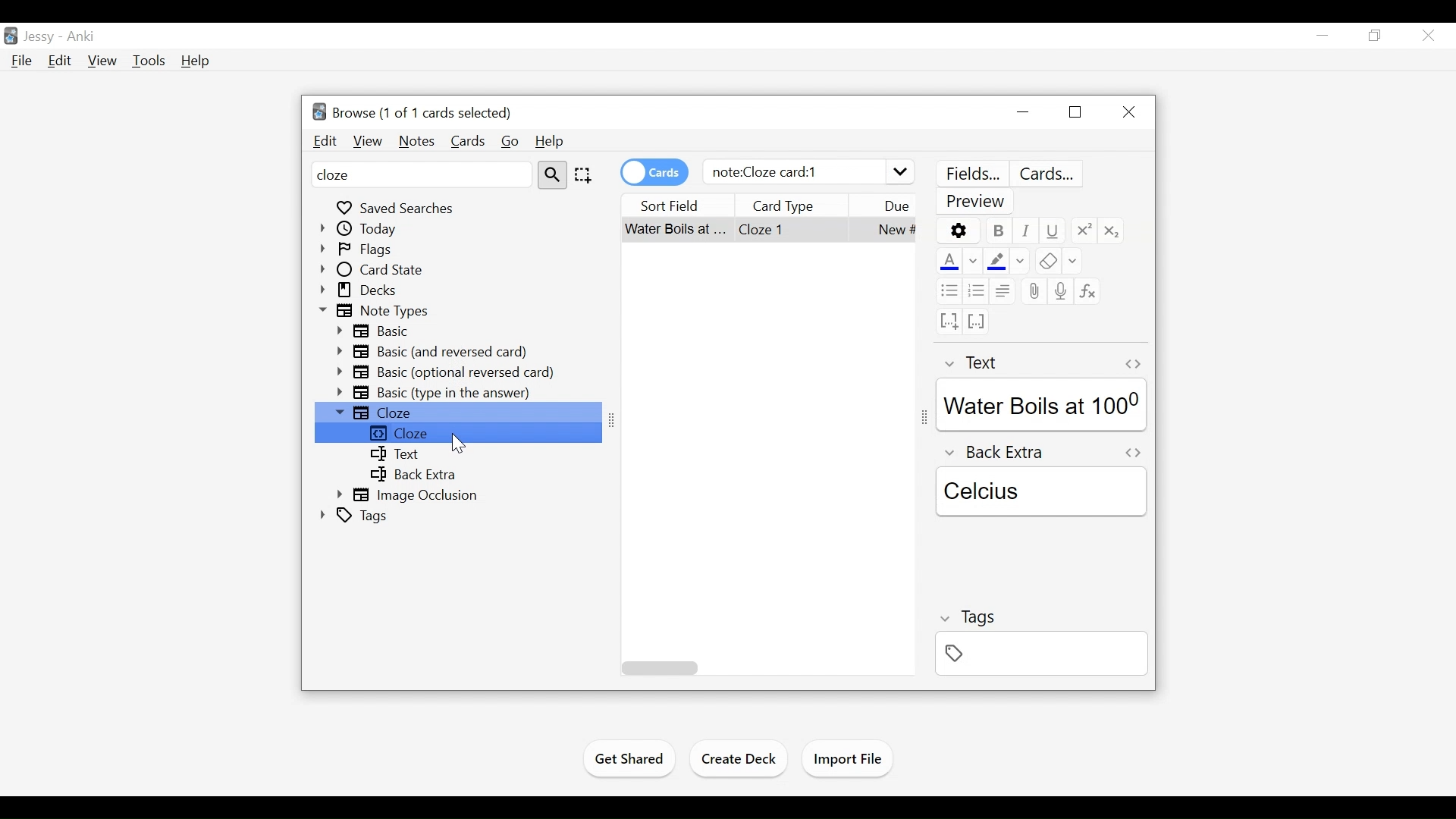 The width and height of the screenshot is (1456, 819). What do you see at coordinates (367, 141) in the screenshot?
I see `View` at bounding box center [367, 141].